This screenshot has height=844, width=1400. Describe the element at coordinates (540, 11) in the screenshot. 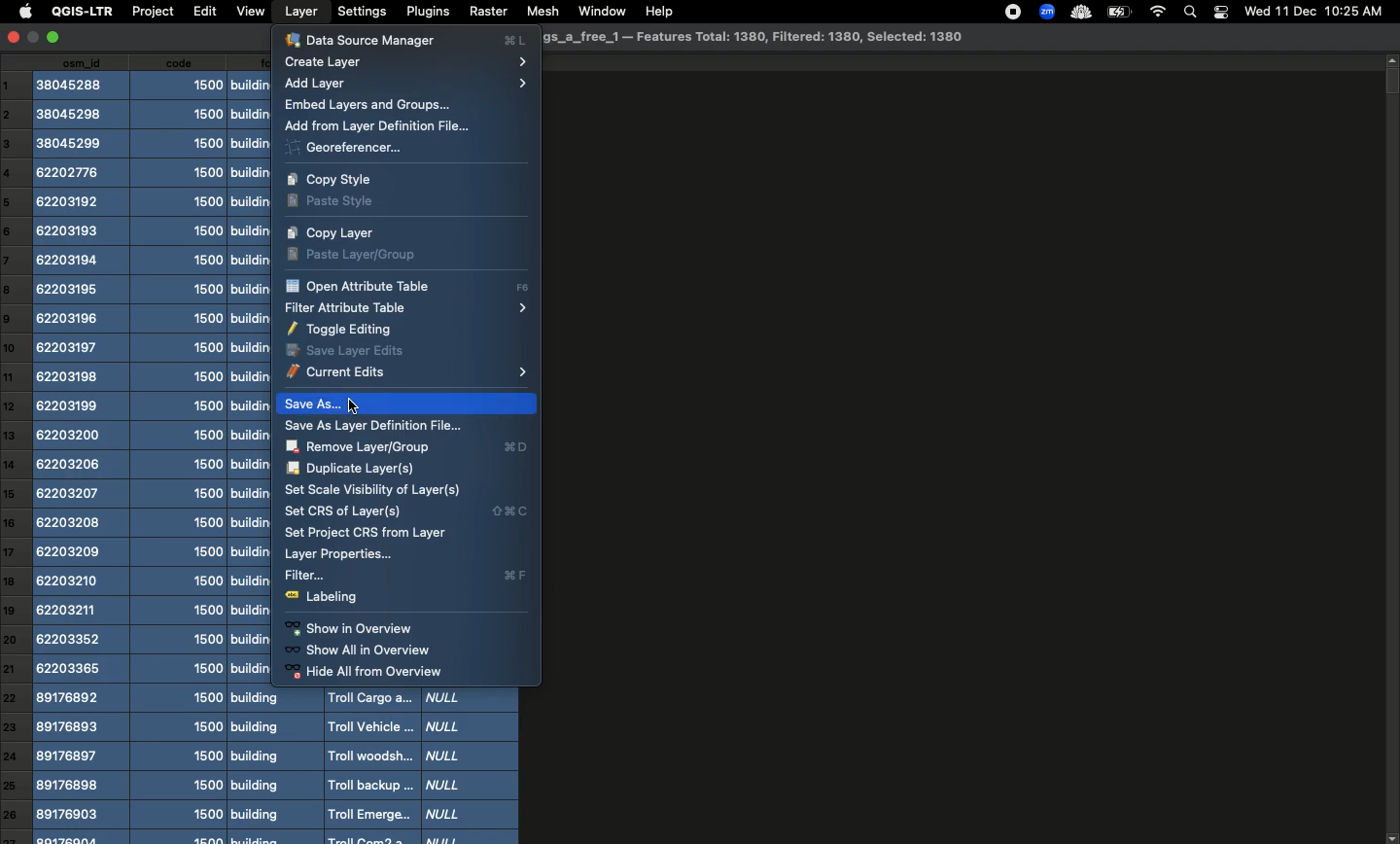

I see `Mesh` at that location.